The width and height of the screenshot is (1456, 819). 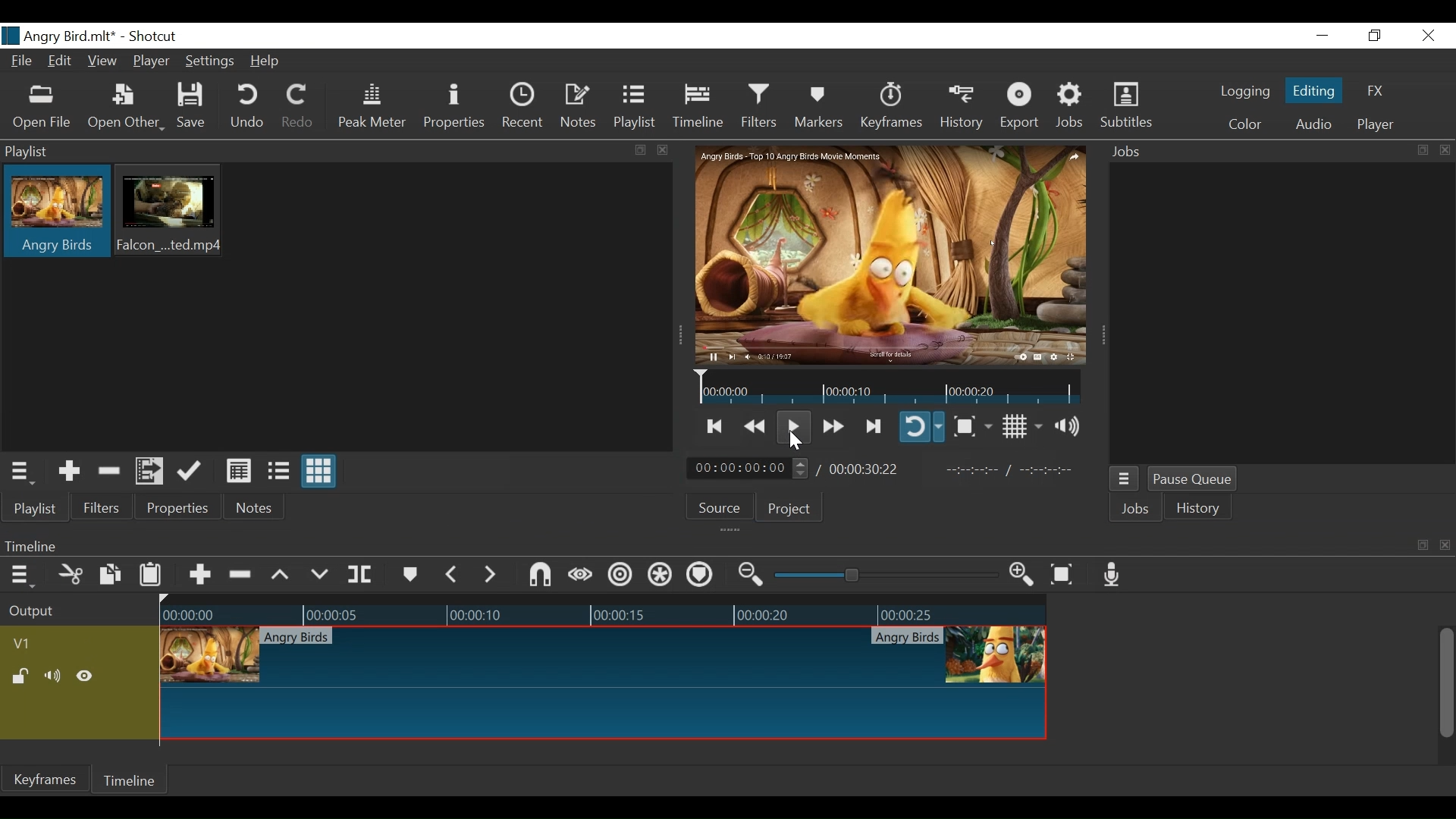 I want to click on Audio, so click(x=1313, y=124).